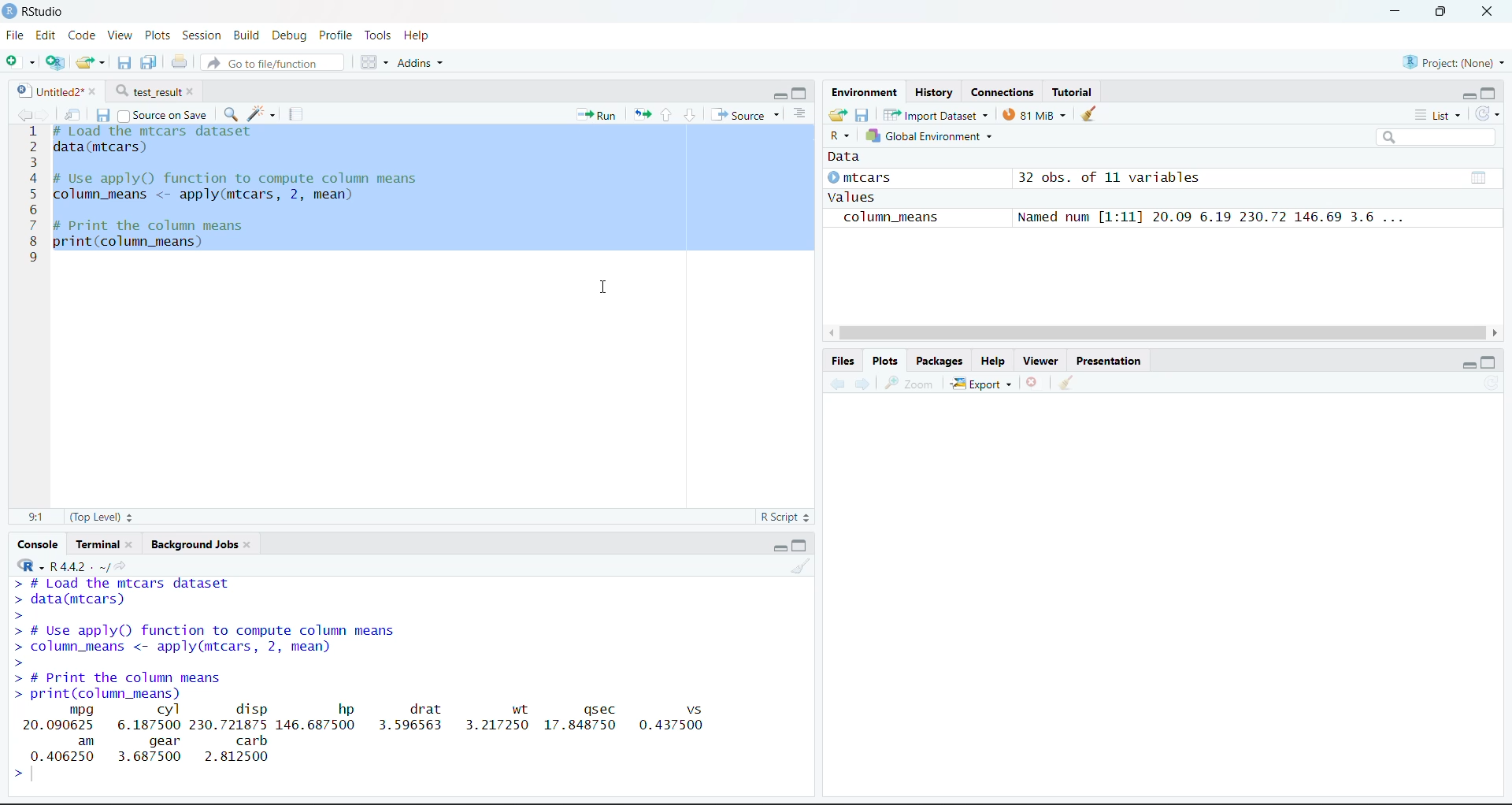  What do you see at coordinates (167, 114) in the screenshot?
I see `Source on Save` at bounding box center [167, 114].